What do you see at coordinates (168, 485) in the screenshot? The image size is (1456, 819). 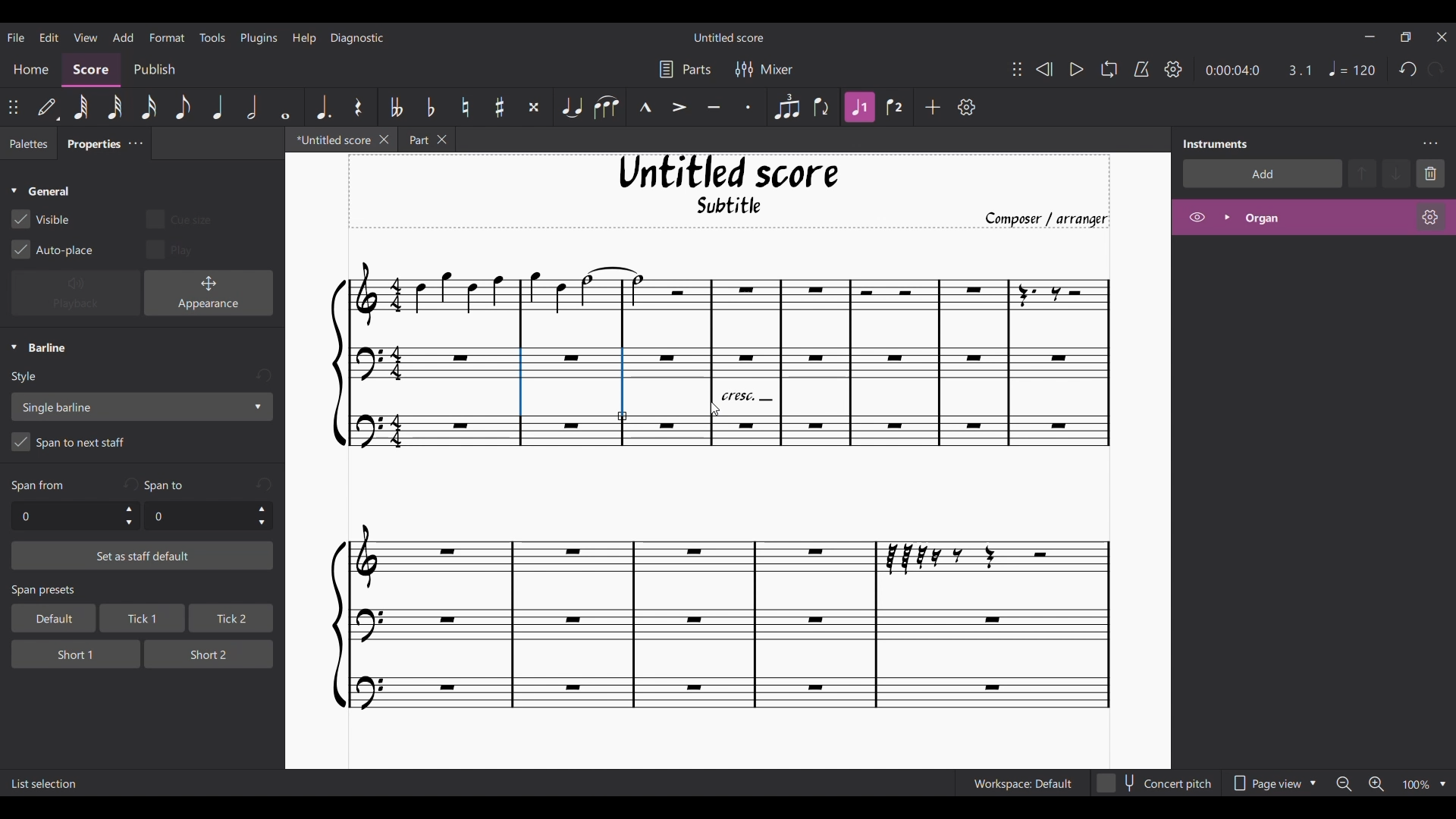 I see `Indicates text space for Span to` at bounding box center [168, 485].